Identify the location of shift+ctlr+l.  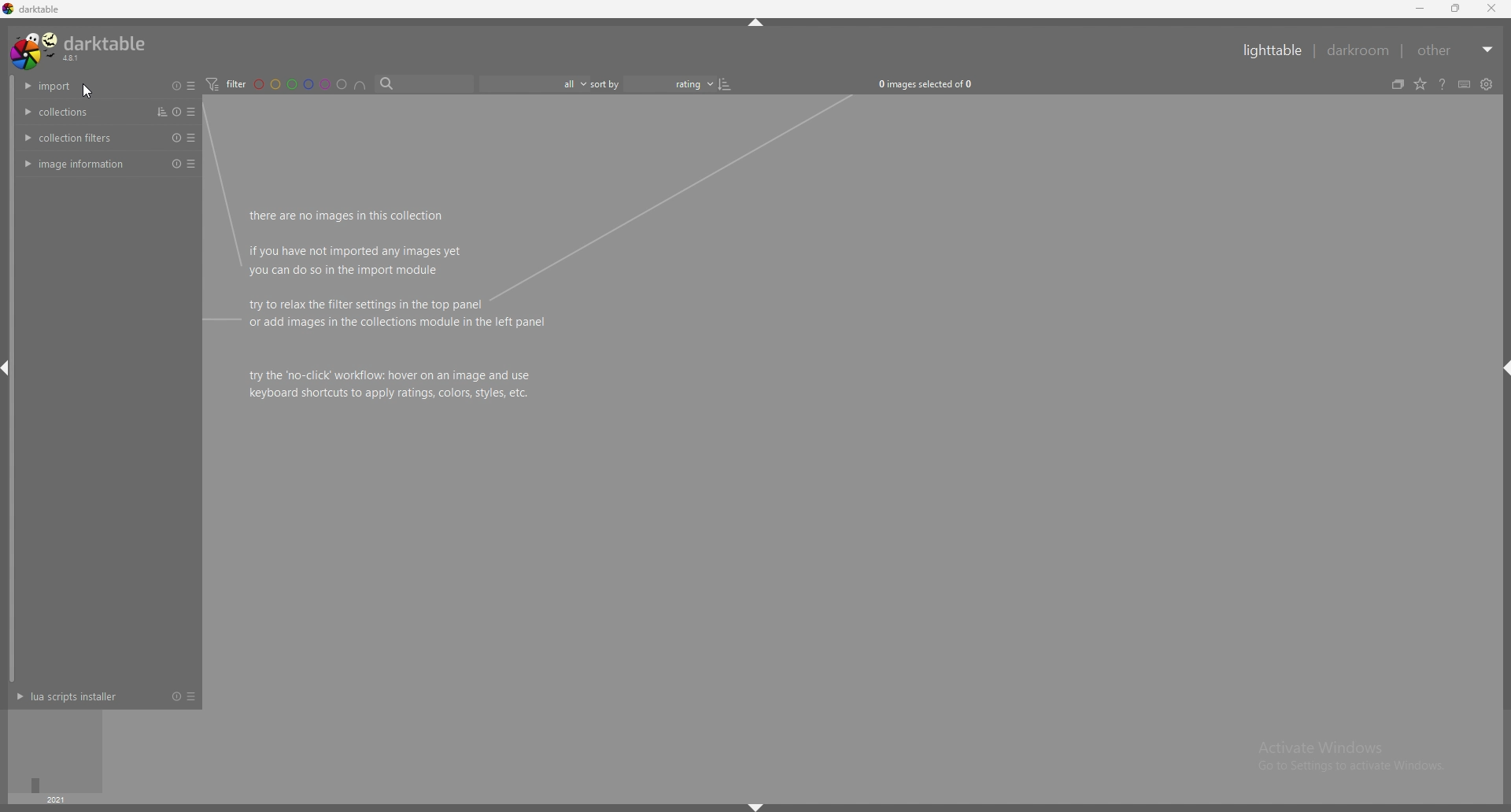
(9, 371).